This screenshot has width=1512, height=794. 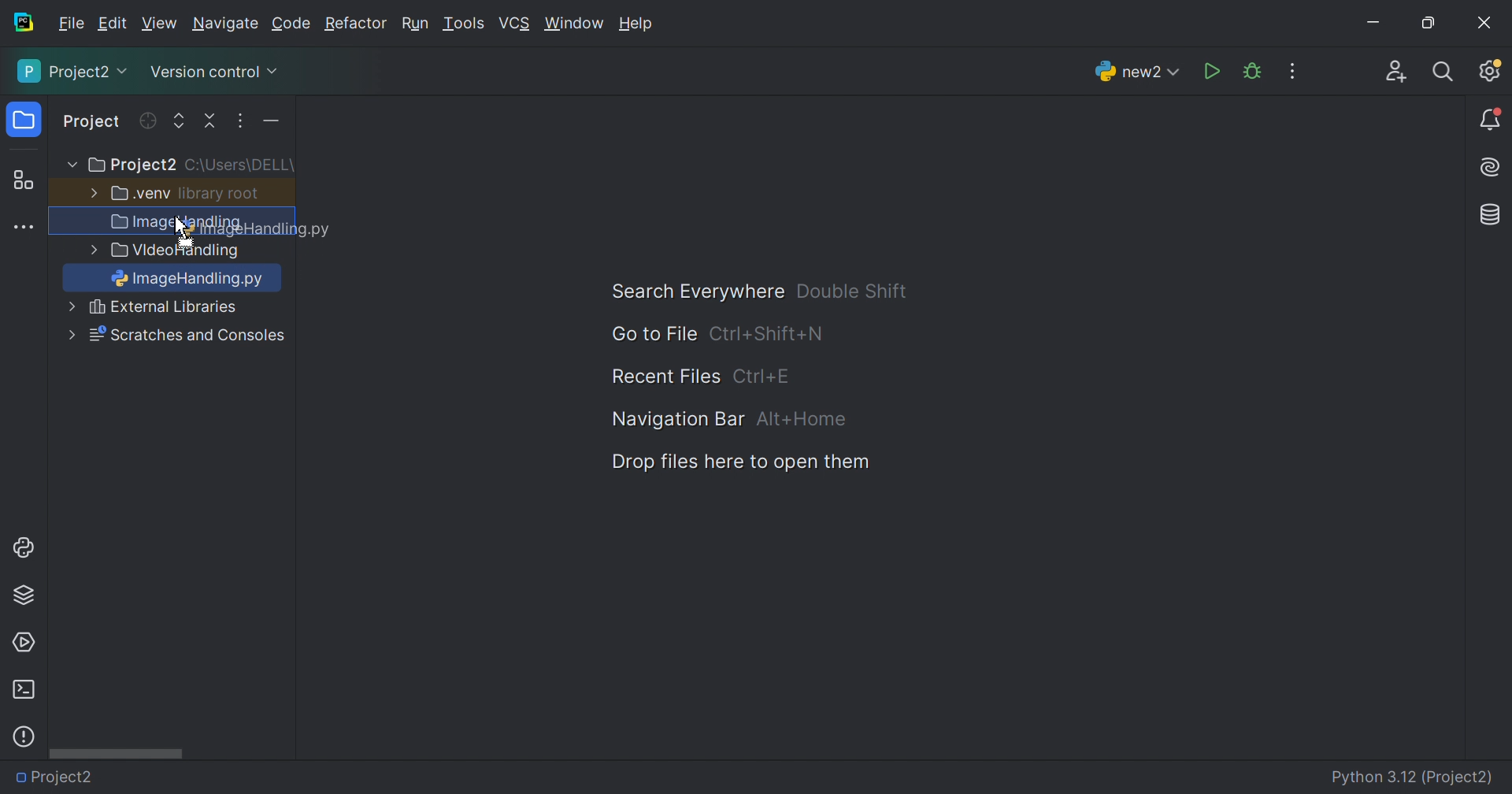 I want to click on Python 3.12 (Project2), so click(x=1414, y=778).